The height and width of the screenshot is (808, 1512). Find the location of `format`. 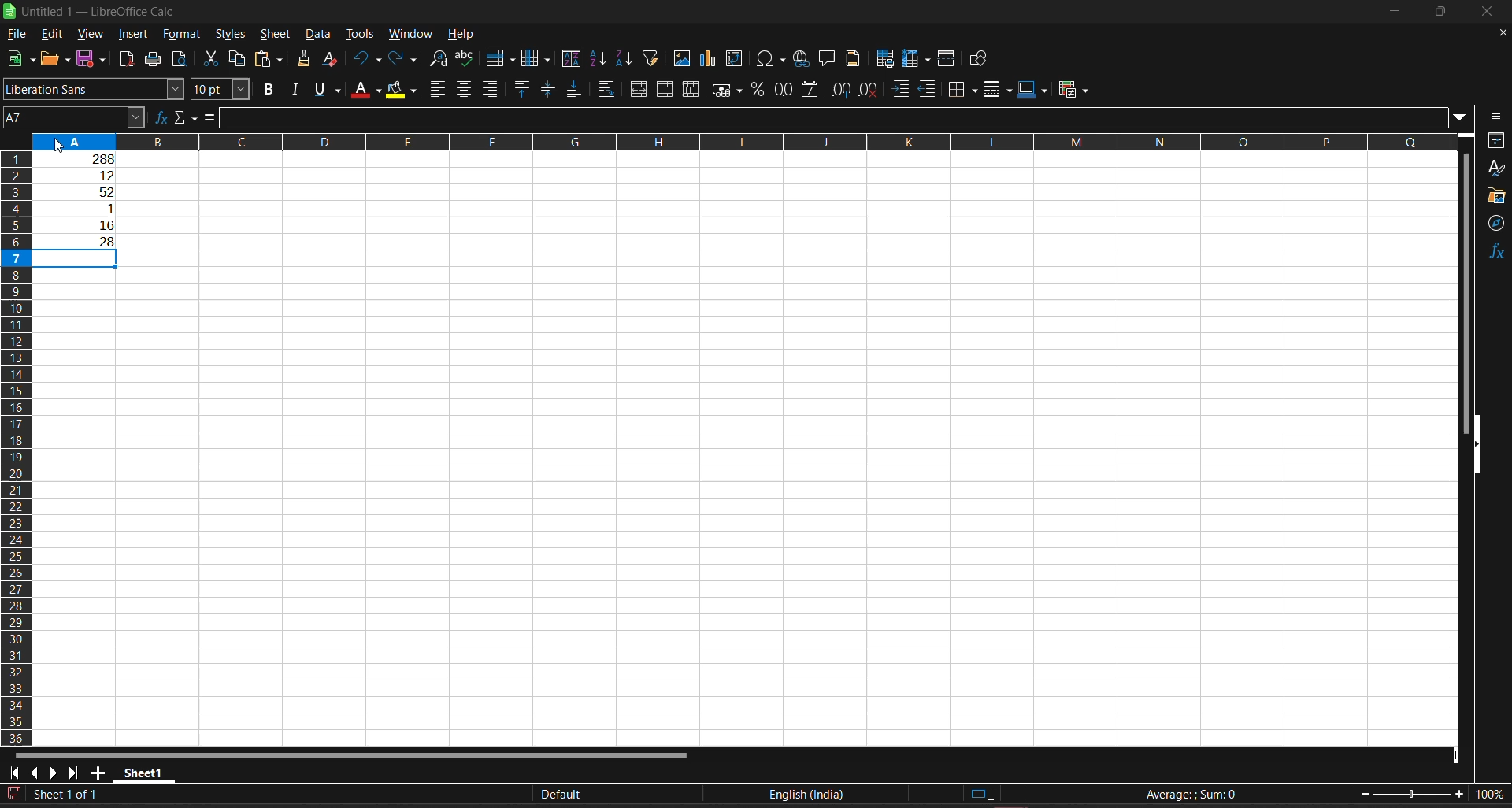

format is located at coordinates (182, 34).